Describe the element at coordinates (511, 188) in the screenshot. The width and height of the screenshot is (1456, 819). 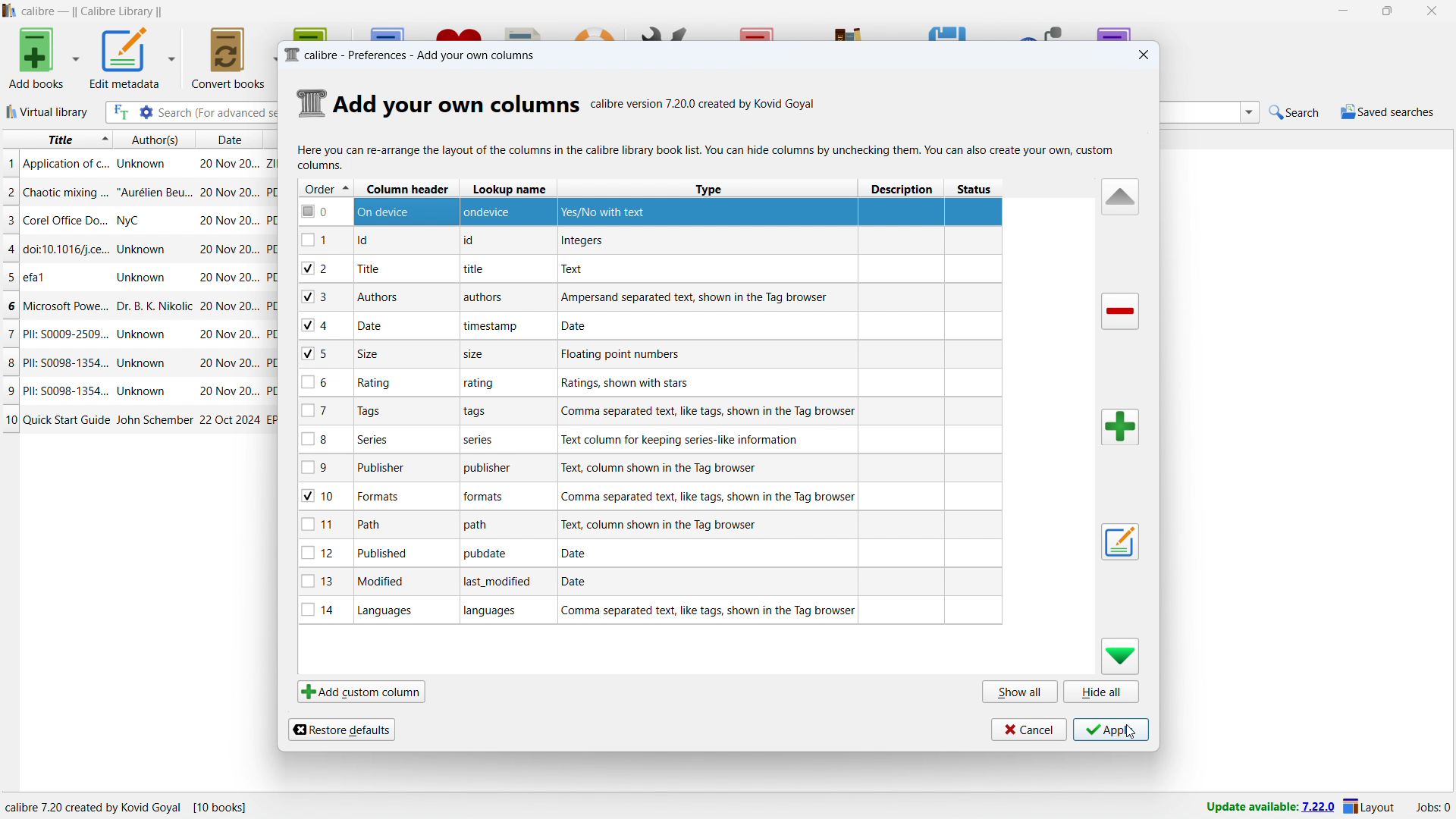
I see `Lookup name` at that location.